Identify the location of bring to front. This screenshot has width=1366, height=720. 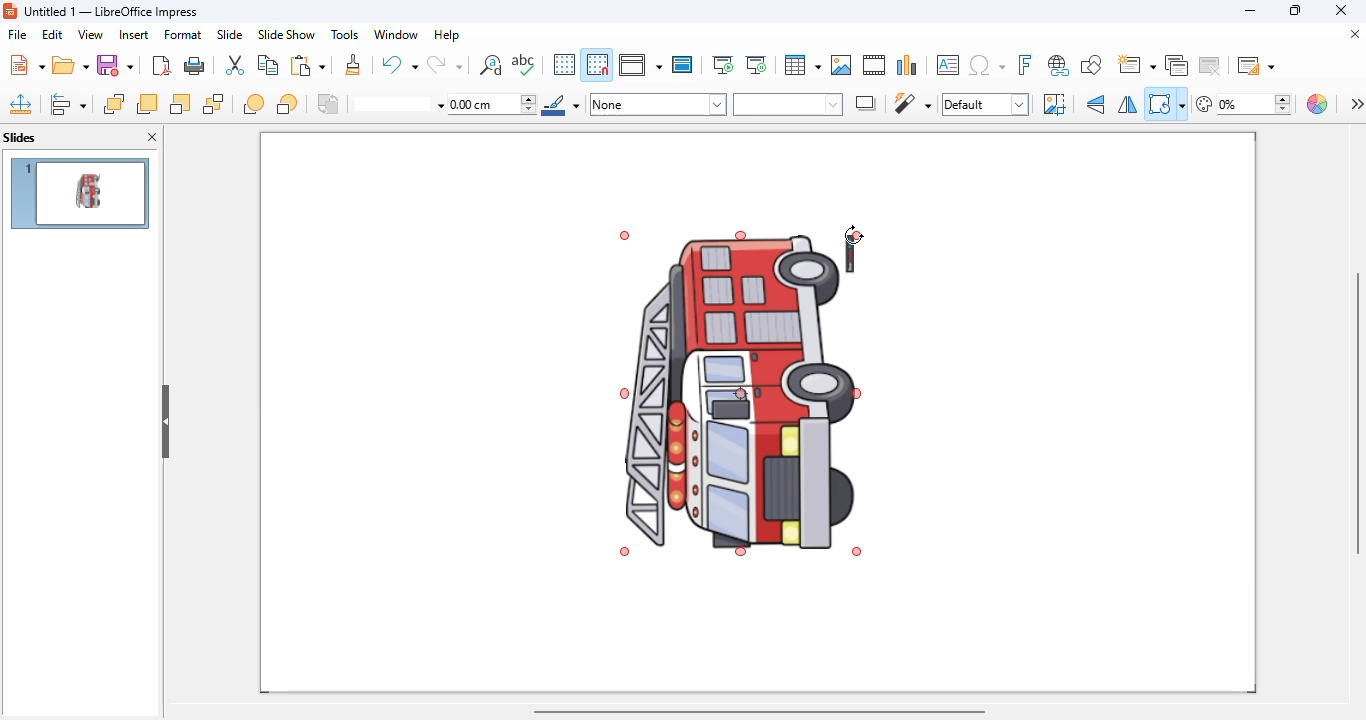
(114, 104).